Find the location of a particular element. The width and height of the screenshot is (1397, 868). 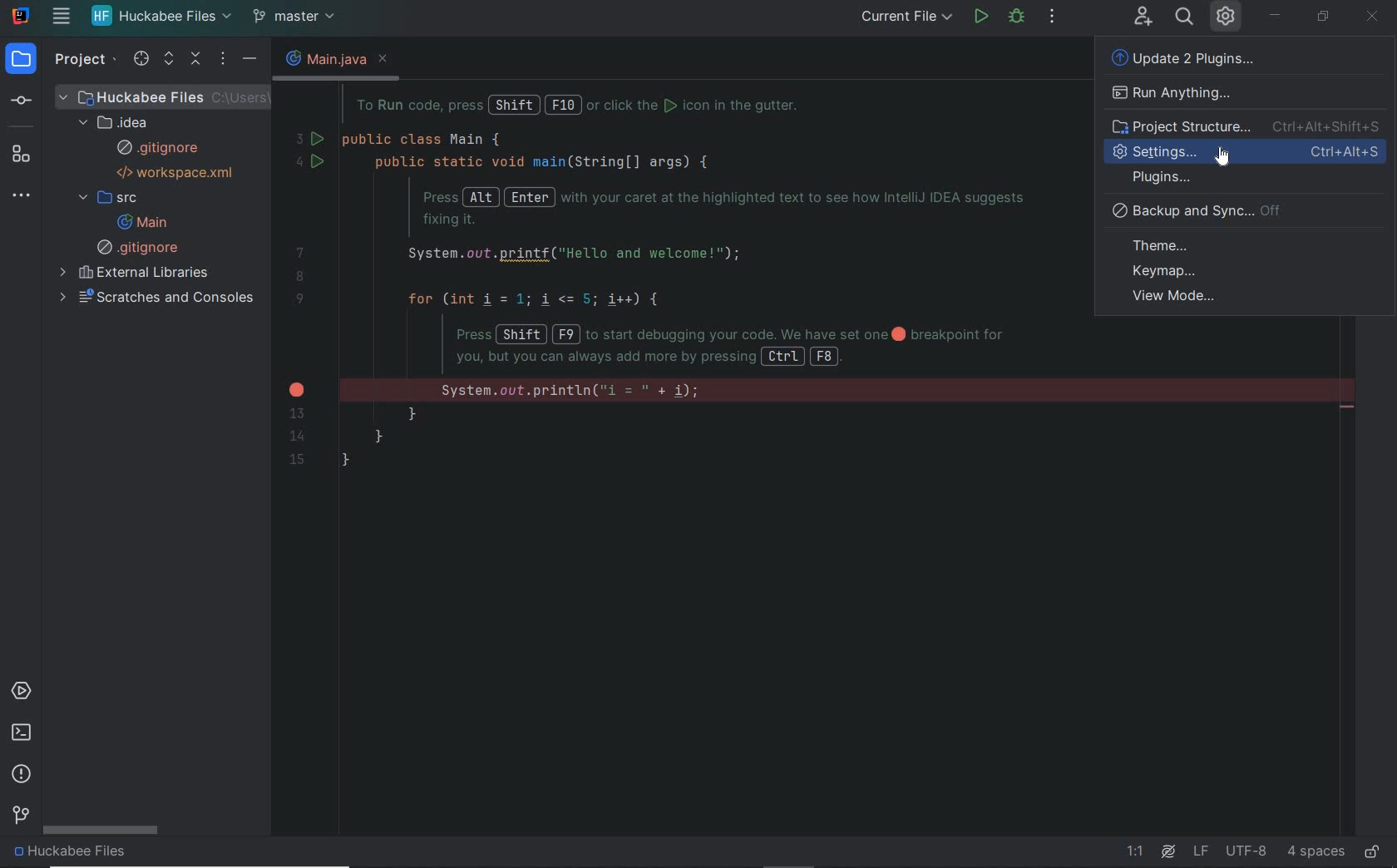

.idea is located at coordinates (118, 122).